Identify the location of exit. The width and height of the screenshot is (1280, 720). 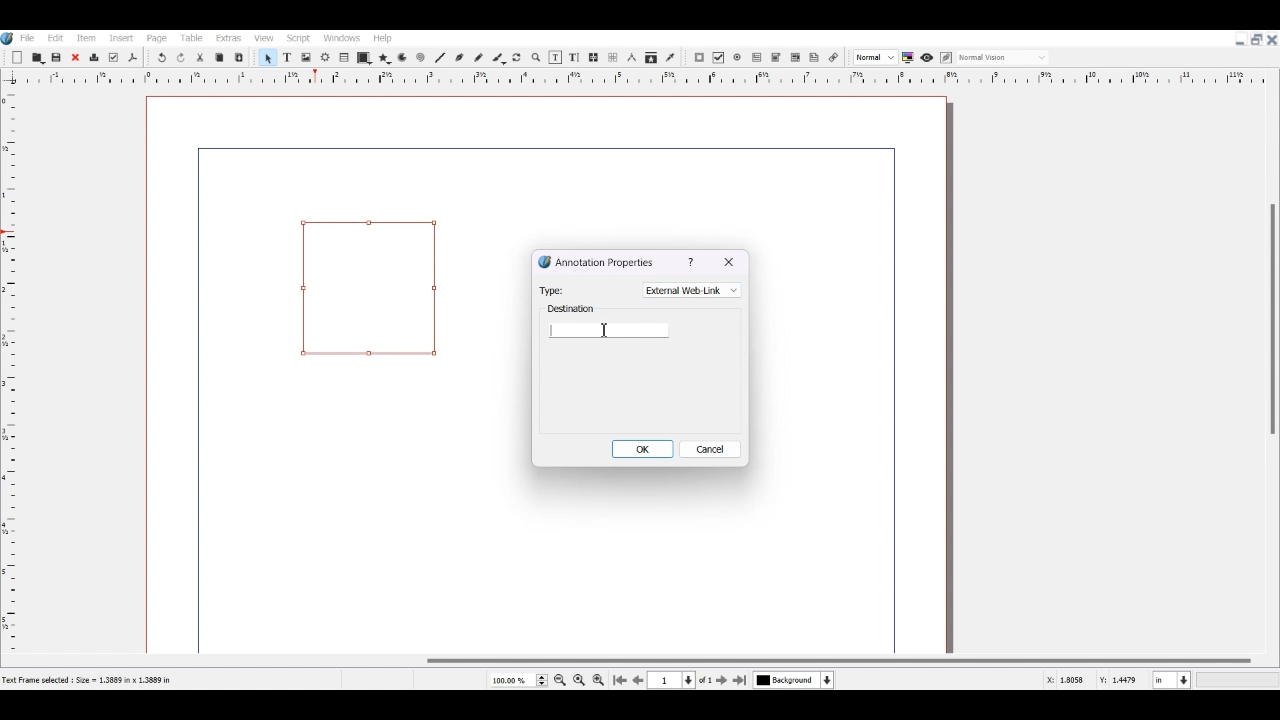
(730, 263).